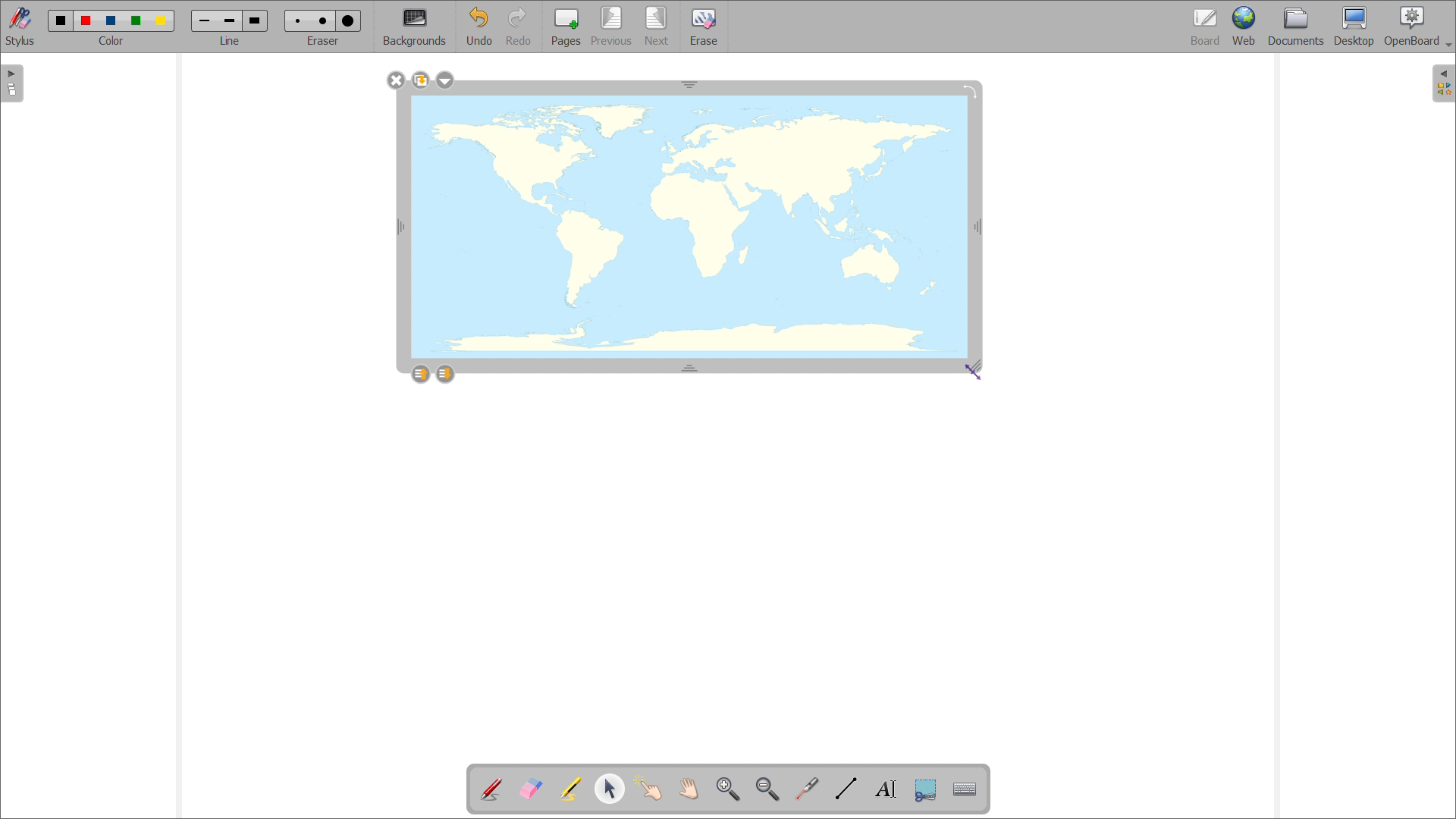  I want to click on large, so click(349, 20).